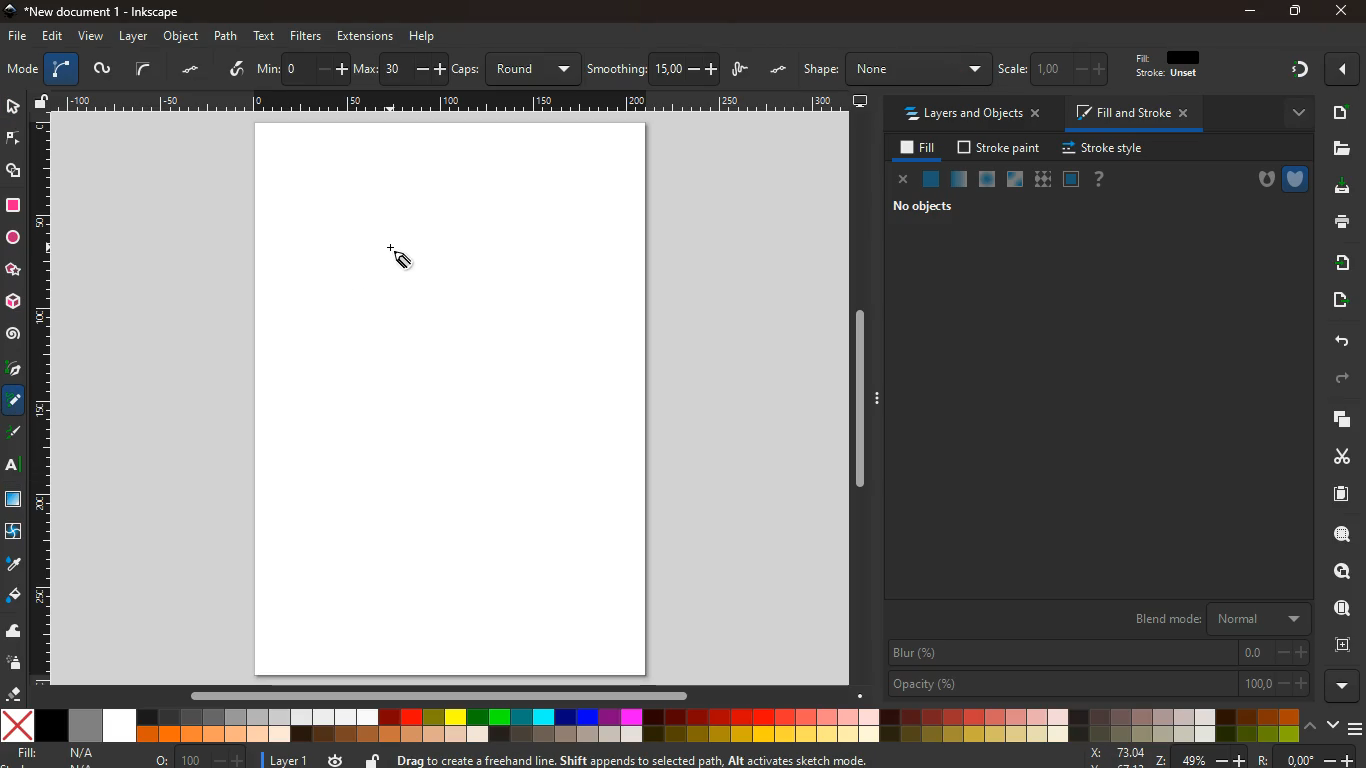 The image size is (1366, 768). What do you see at coordinates (958, 181) in the screenshot?
I see `glass` at bounding box center [958, 181].